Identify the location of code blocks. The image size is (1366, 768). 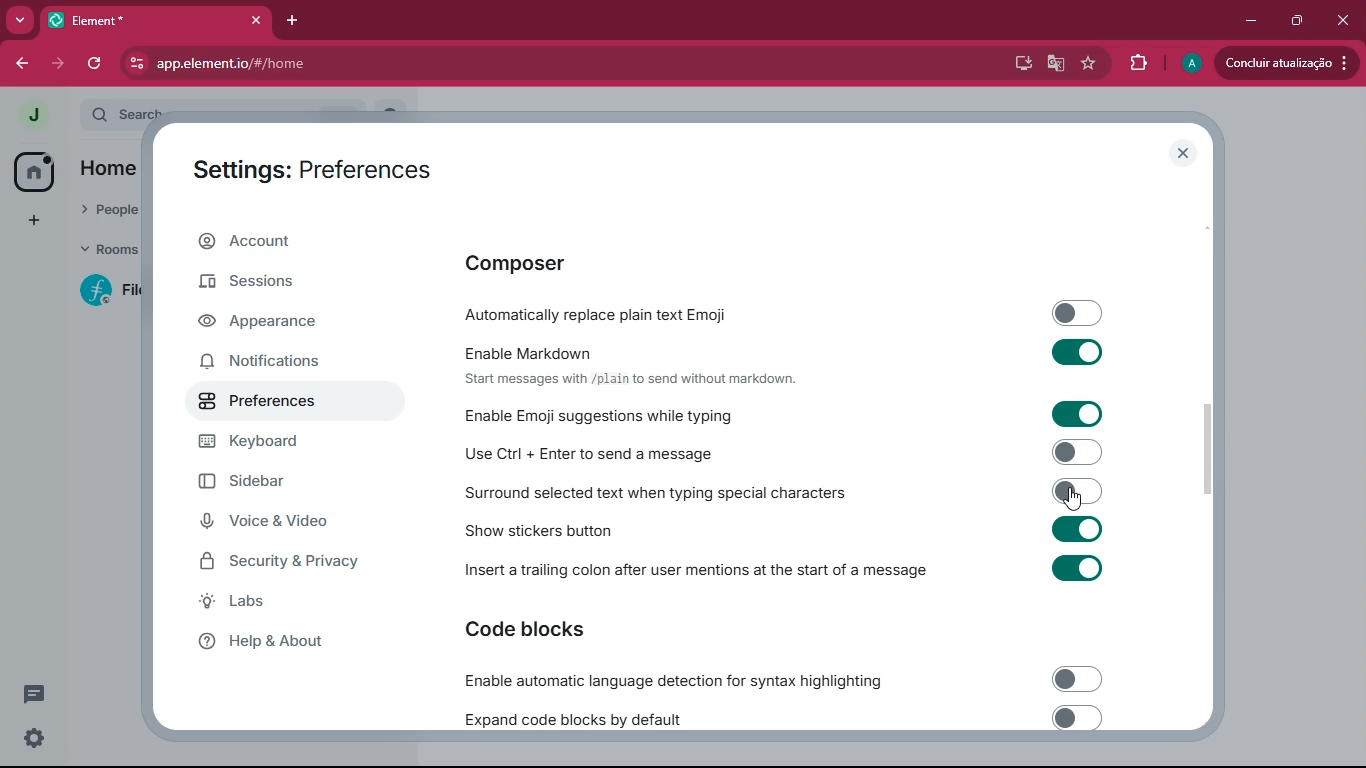
(559, 633).